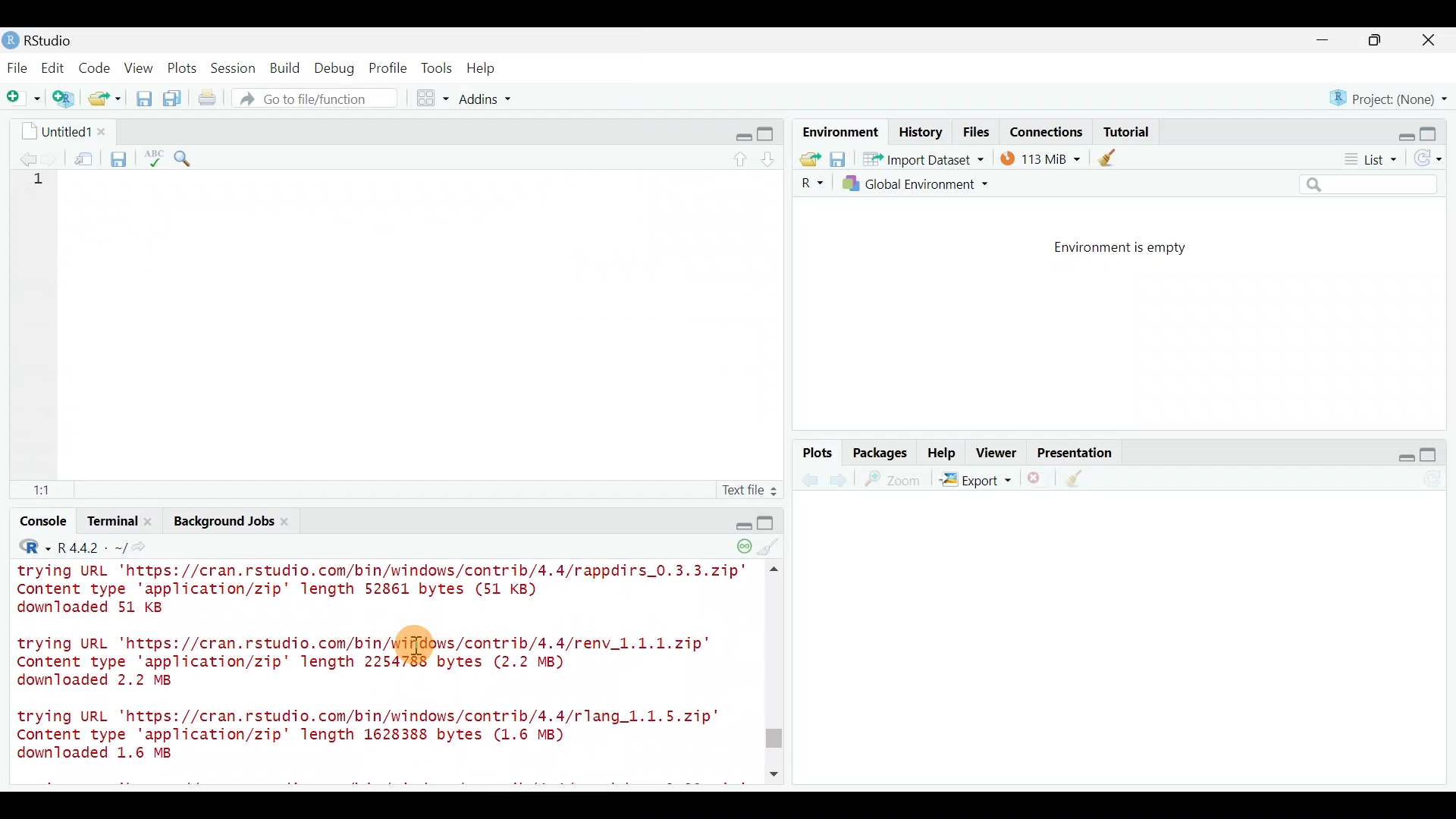 This screenshot has height=819, width=1456. What do you see at coordinates (734, 547) in the screenshot?
I see `Session suspend timeout paused` at bounding box center [734, 547].